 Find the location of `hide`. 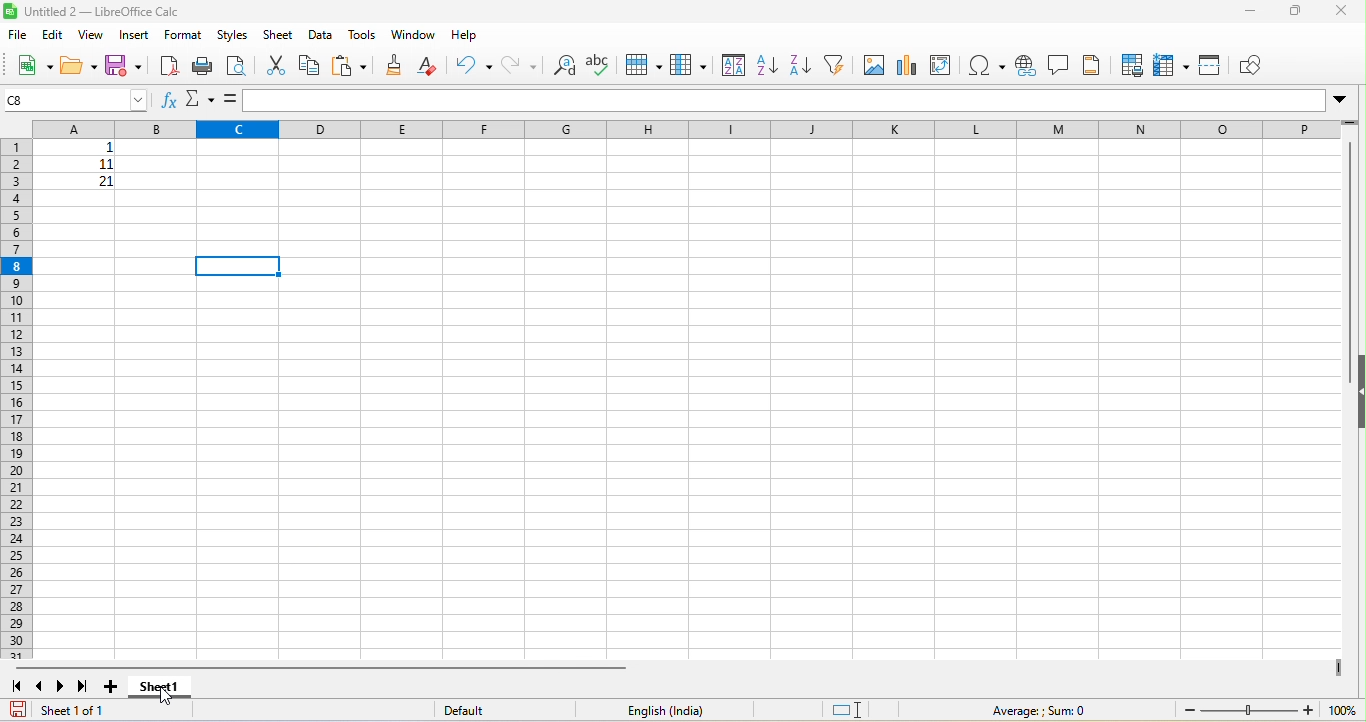

hide is located at coordinates (1357, 396).